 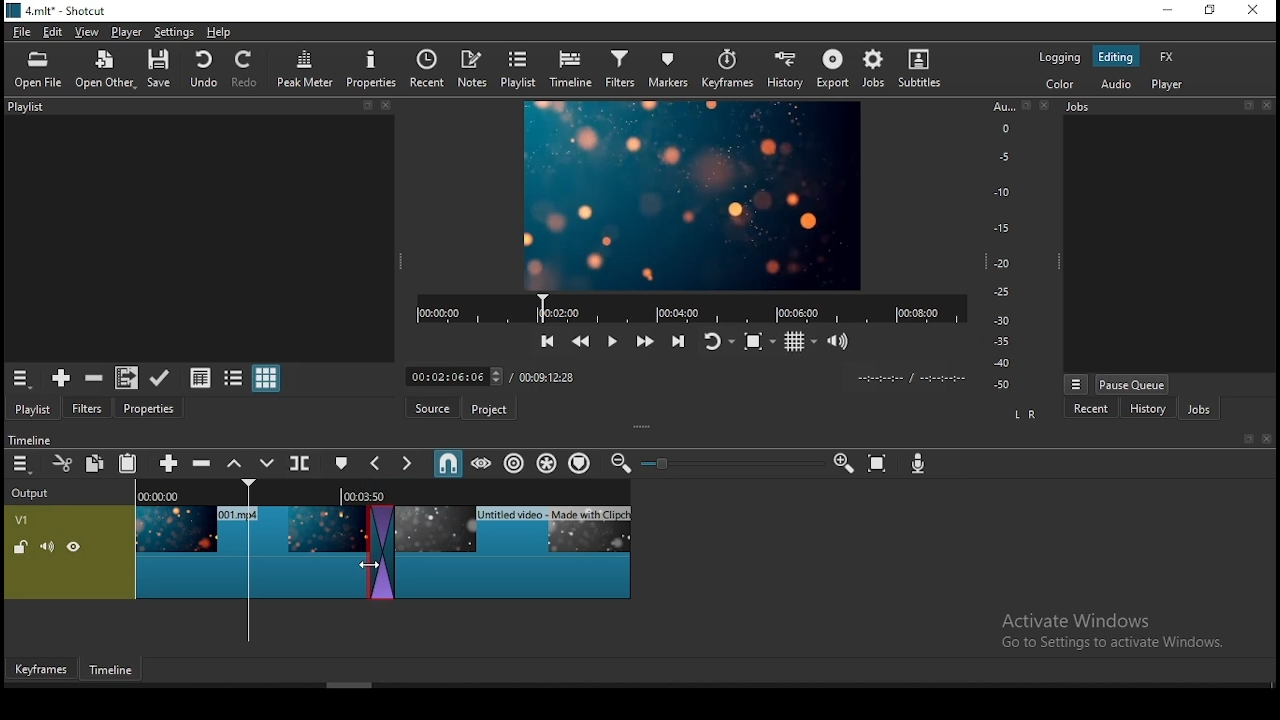 I want to click on help, so click(x=219, y=33).